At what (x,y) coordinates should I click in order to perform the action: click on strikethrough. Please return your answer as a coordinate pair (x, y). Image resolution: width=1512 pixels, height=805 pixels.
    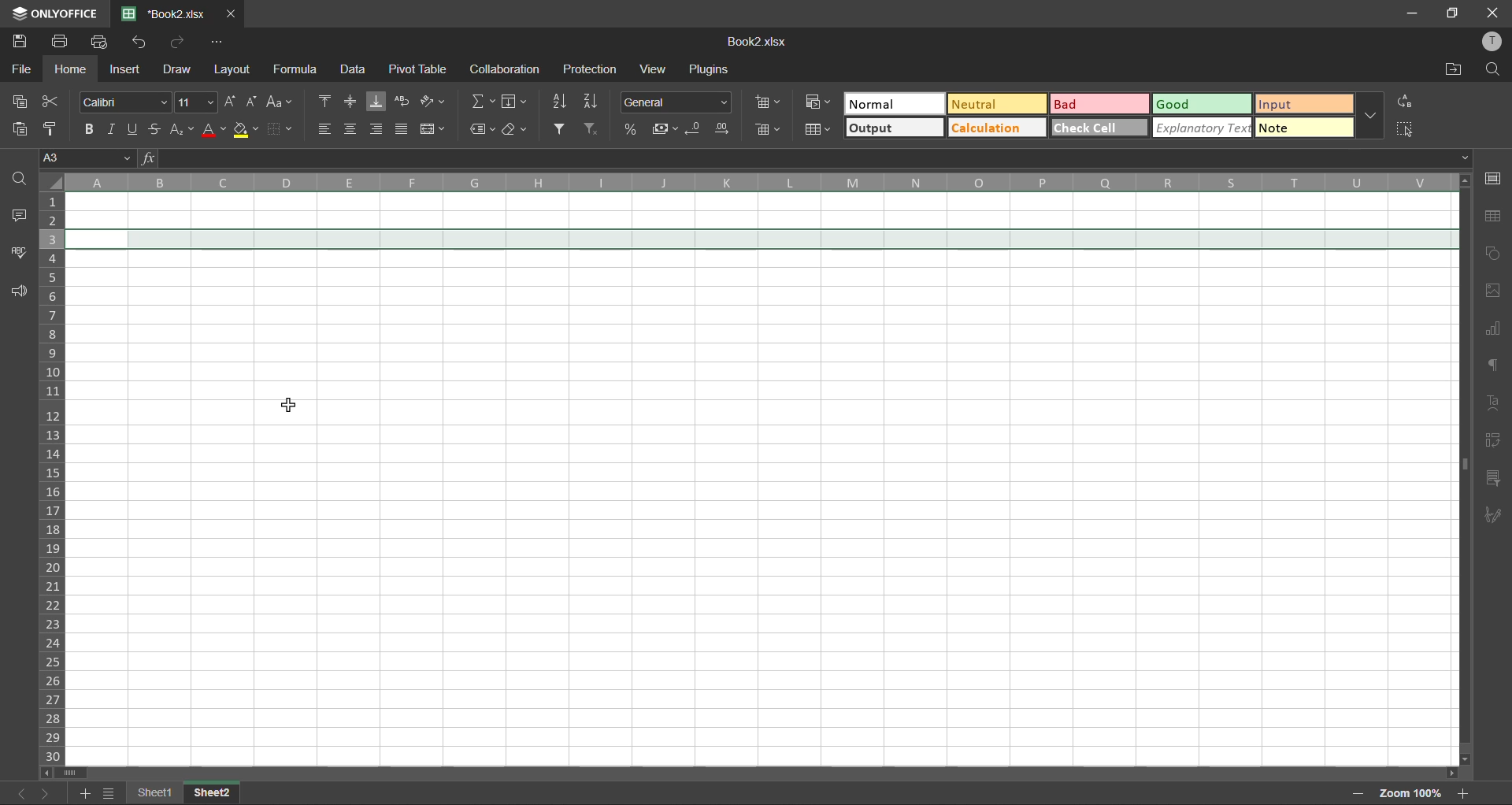
    Looking at the image, I should click on (159, 128).